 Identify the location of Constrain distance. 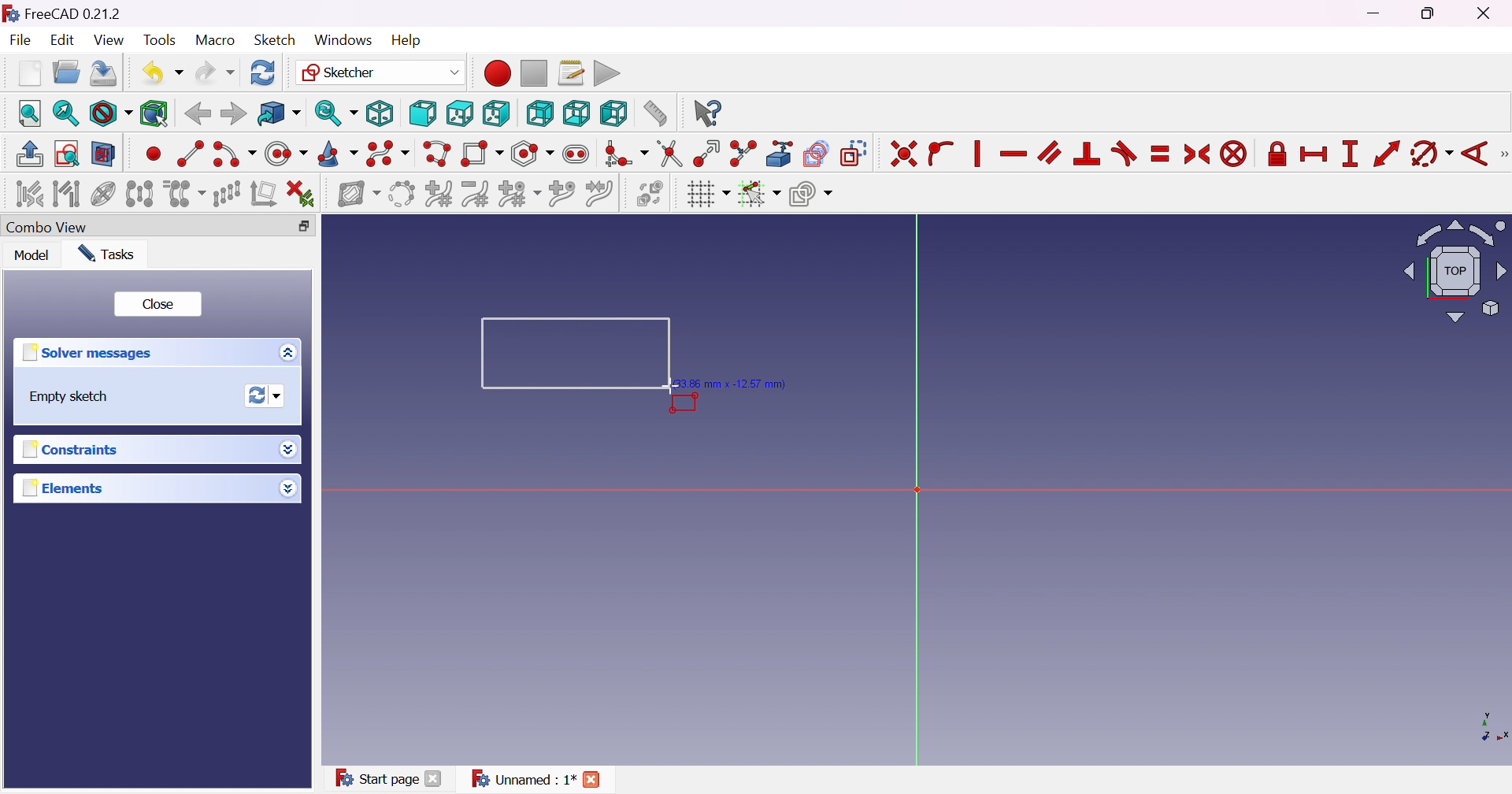
(1386, 154).